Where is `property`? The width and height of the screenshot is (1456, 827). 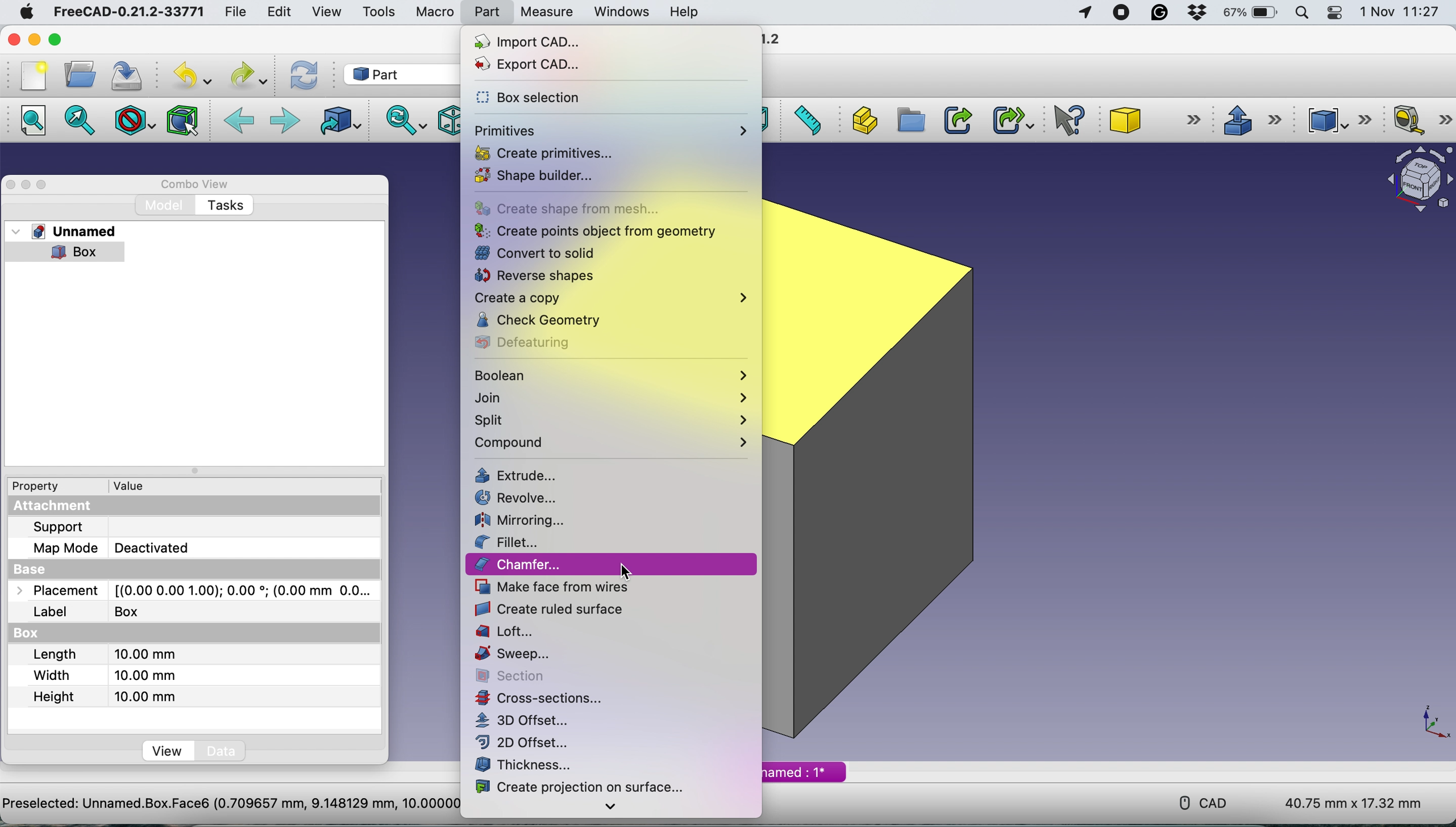 property is located at coordinates (44, 487).